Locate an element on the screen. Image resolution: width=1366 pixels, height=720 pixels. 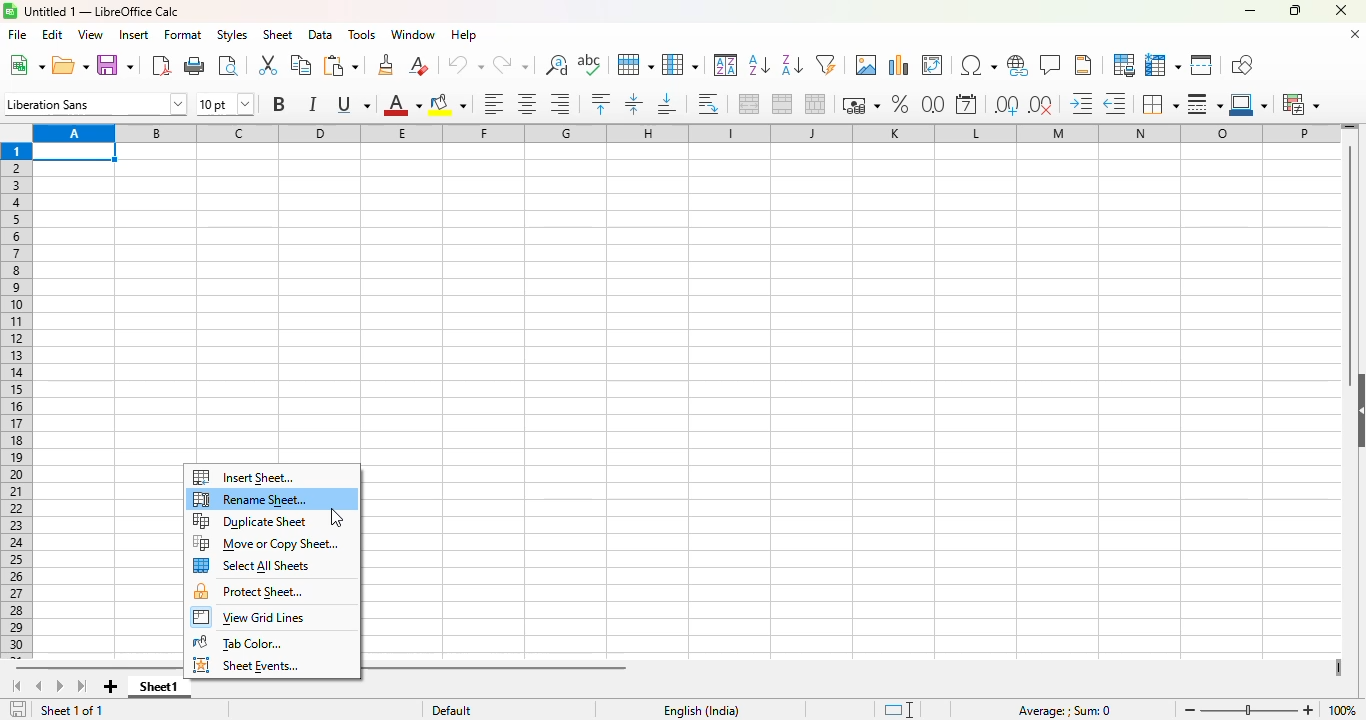
Zoom slider is located at coordinates (1249, 711).